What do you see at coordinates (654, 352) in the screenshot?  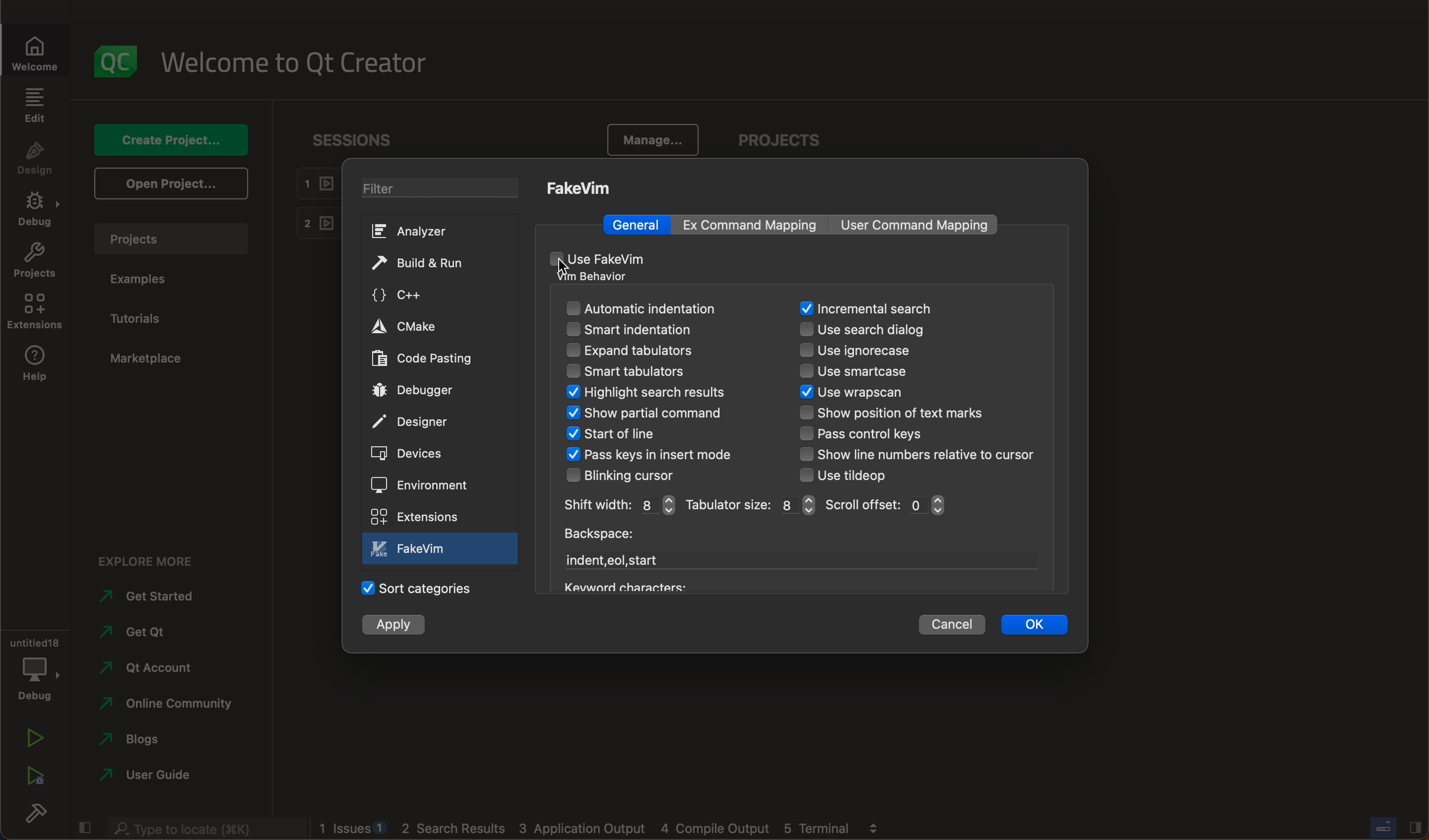 I see `expand` at bounding box center [654, 352].